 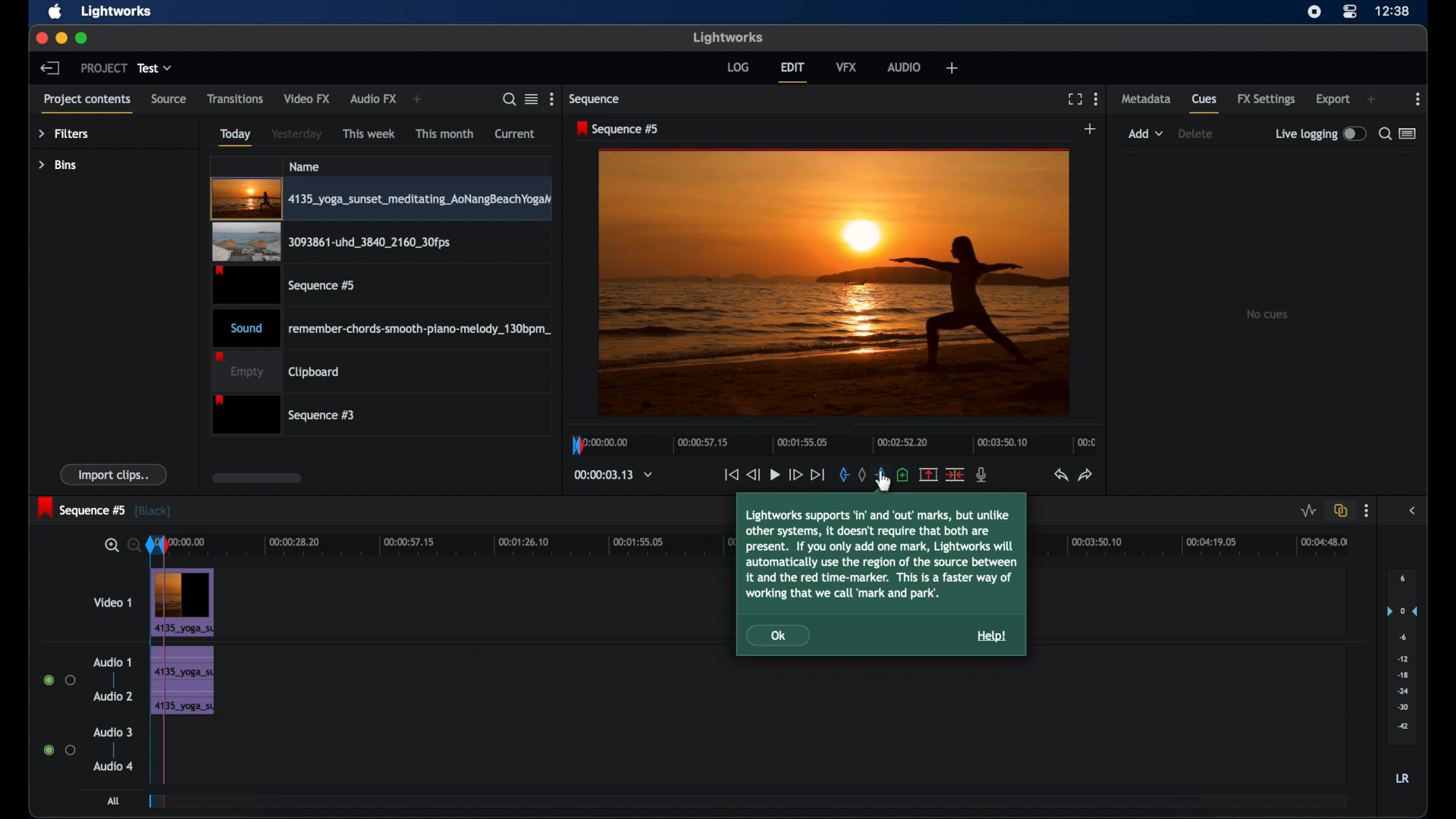 I want to click on rewind, so click(x=753, y=474).